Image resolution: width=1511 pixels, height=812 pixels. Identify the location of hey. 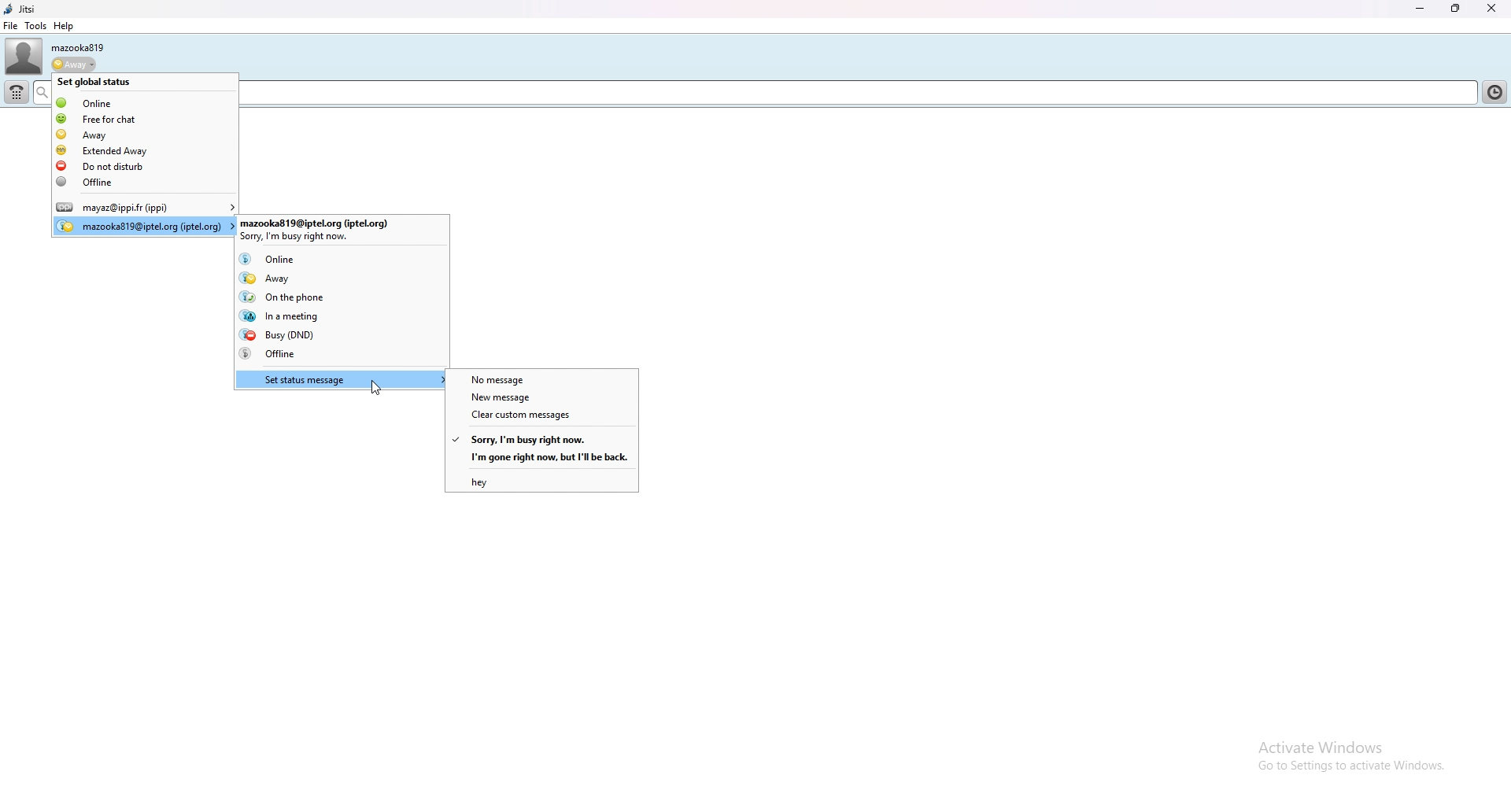
(541, 481).